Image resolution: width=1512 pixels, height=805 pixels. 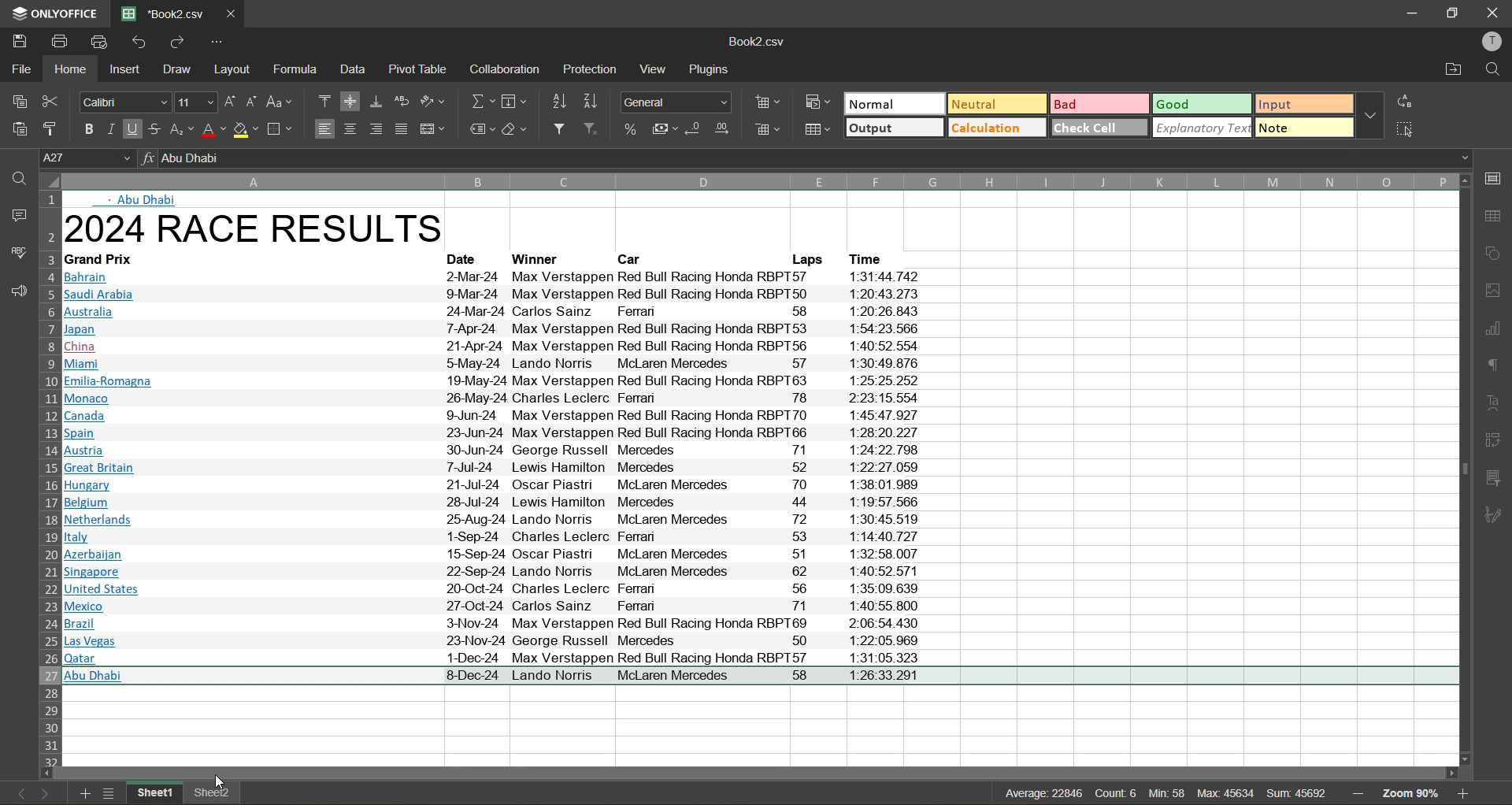 What do you see at coordinates (110, 128) in the screenshot?
I see `italic` at bounding box center [110, 128].